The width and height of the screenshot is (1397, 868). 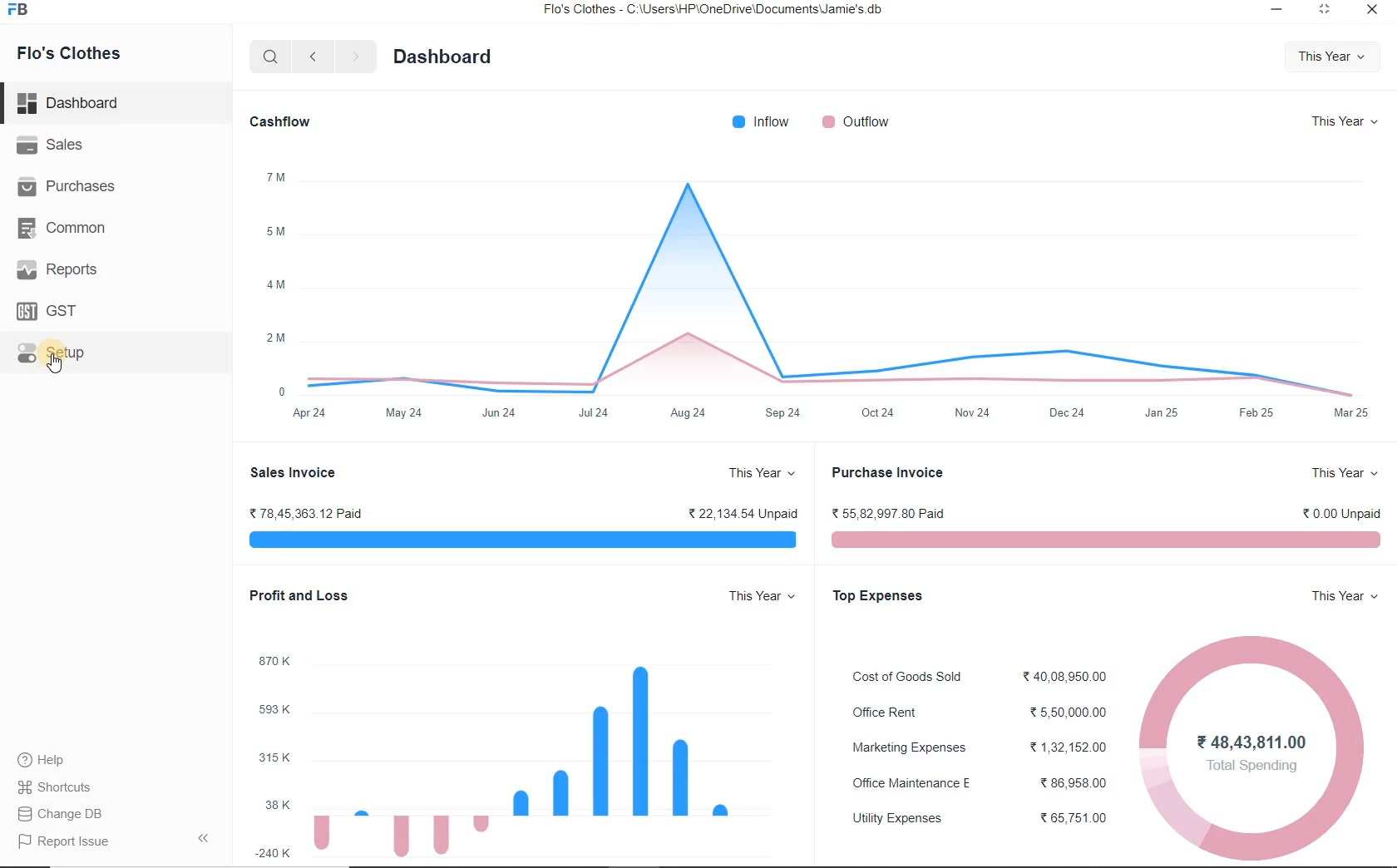 What do you see at coordinates (296, 509) in the screenshot?
I see `78,45,363.12 Paid` at bounding box center [296, 509].